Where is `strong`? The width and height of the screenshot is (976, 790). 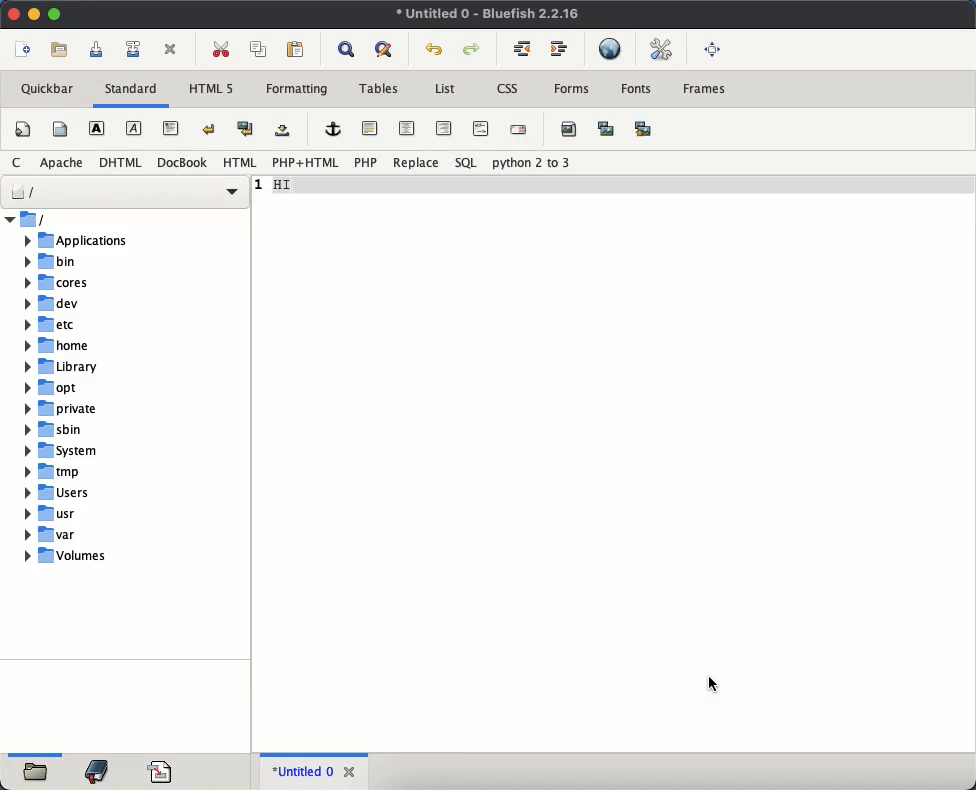
strong is located at coordinates (96, 128).